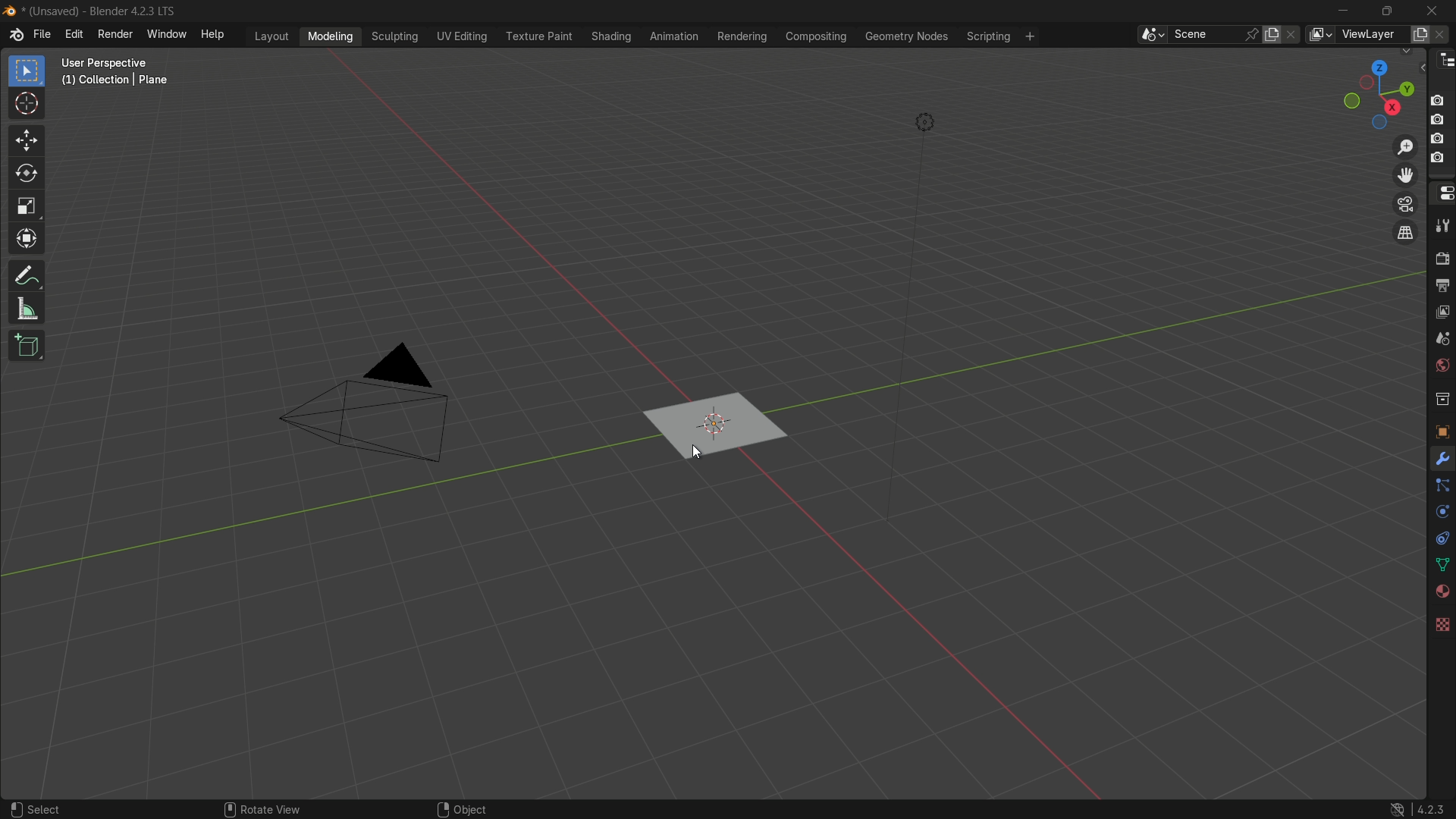 Image resolution: width=1456 pixels, height=819 pixels. Describe the element at coordinates (77, 36) in the screenshot. I see `edit menu` at that location.